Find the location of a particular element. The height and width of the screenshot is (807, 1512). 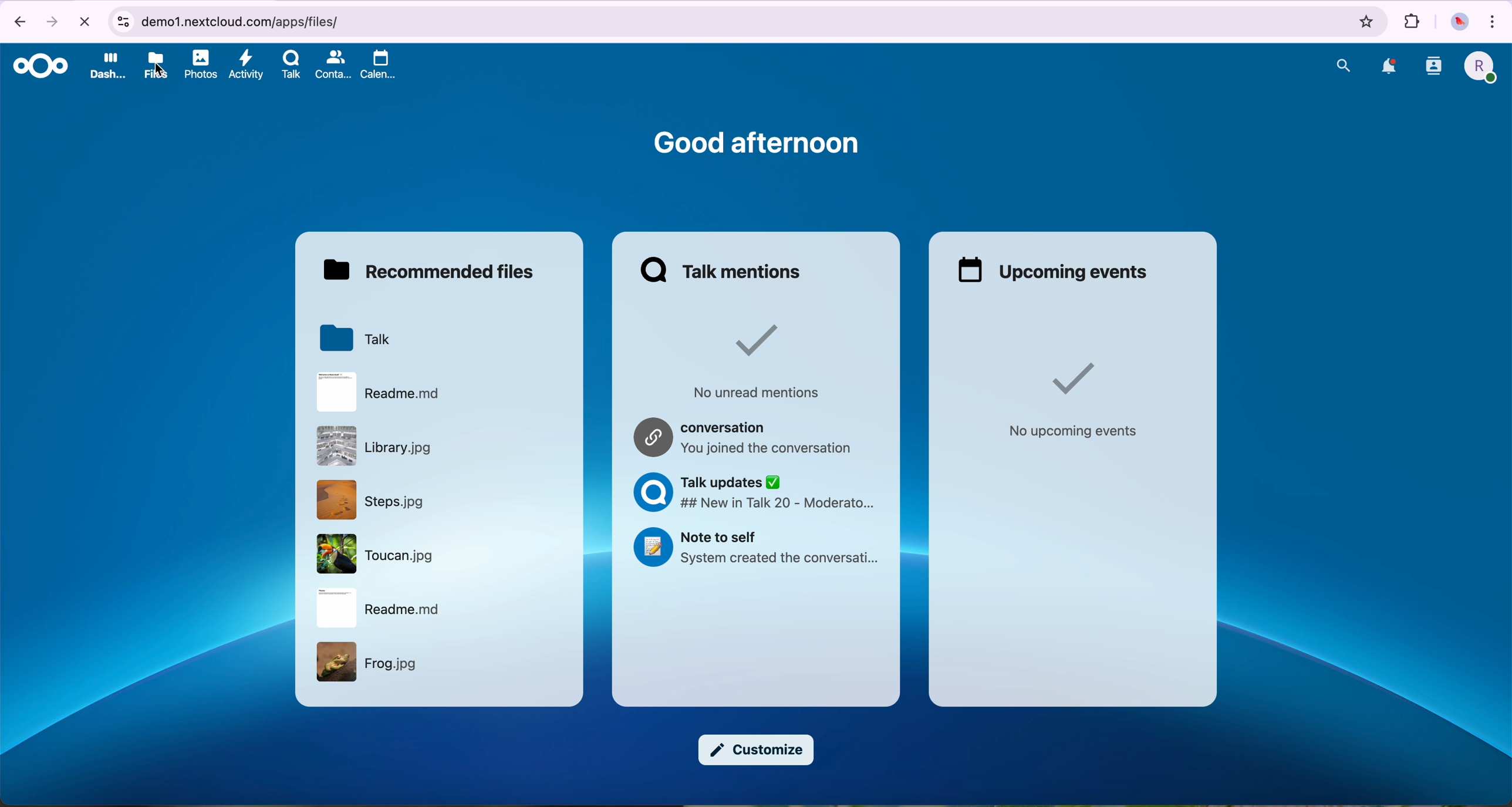

extensions is located at coordinates (1412, 22).